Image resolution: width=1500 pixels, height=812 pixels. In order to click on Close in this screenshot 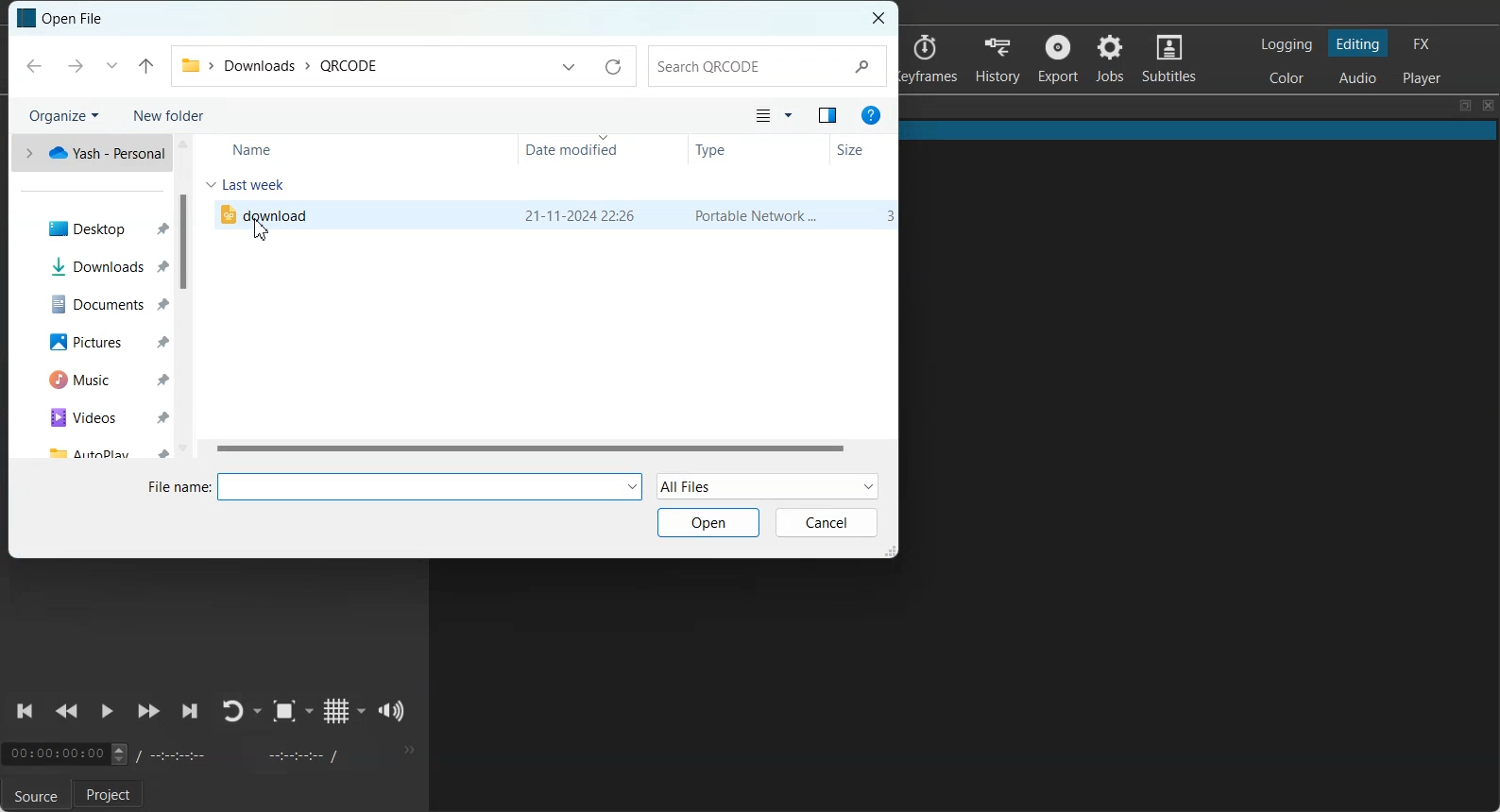, I will do `click(1489, 106)`.